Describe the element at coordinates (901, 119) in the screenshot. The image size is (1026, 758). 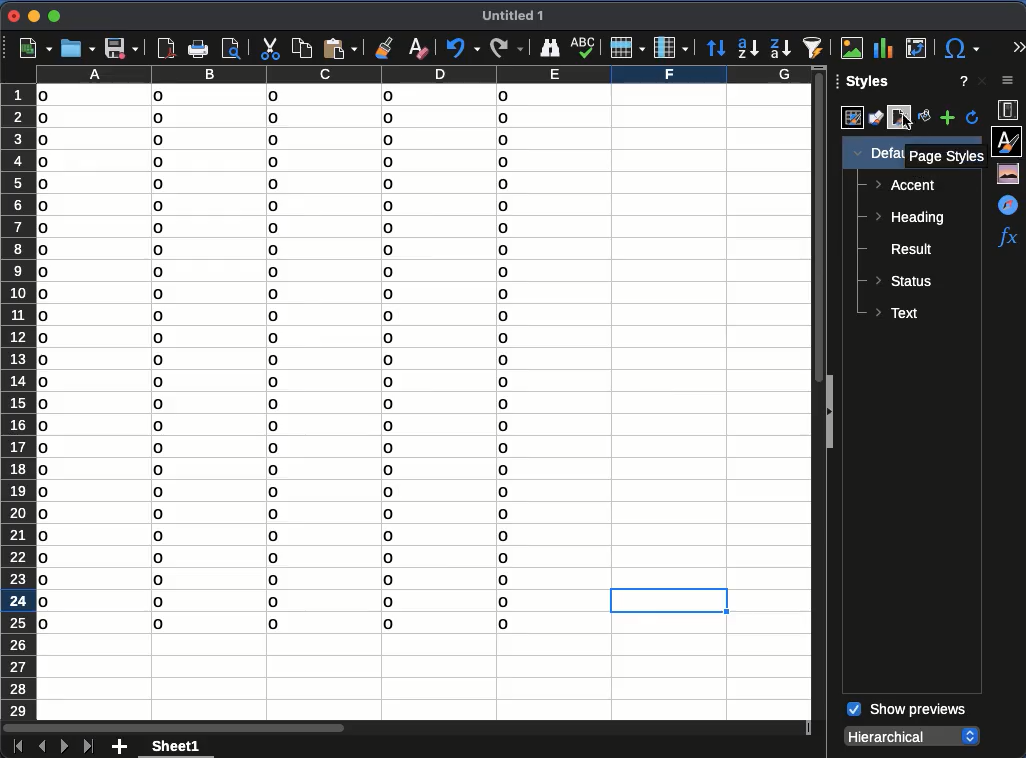
I see `page style` at that location.